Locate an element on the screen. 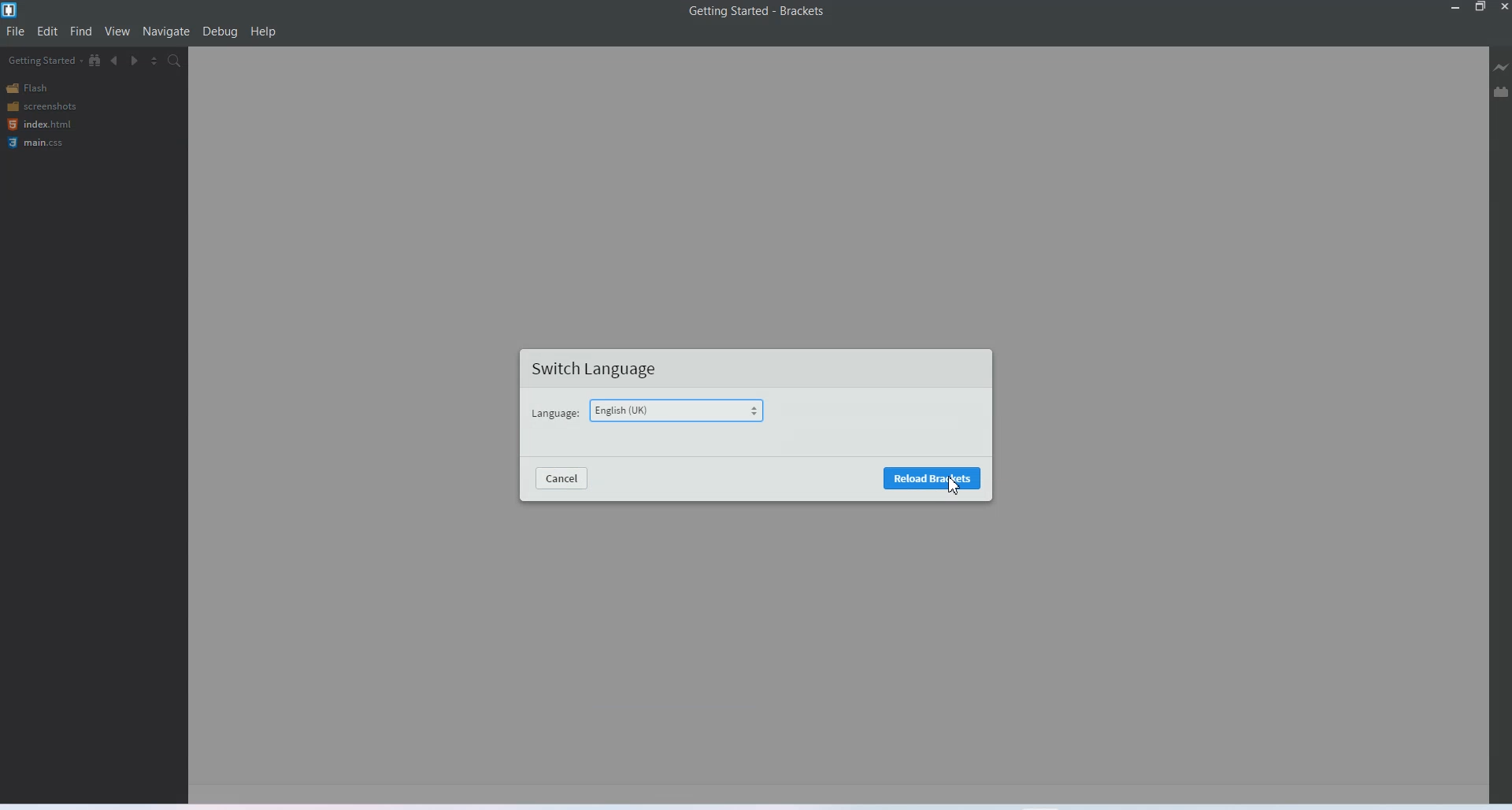 This screenshot has width=1512, height=810. switch language is located at coordinates (596, 369).